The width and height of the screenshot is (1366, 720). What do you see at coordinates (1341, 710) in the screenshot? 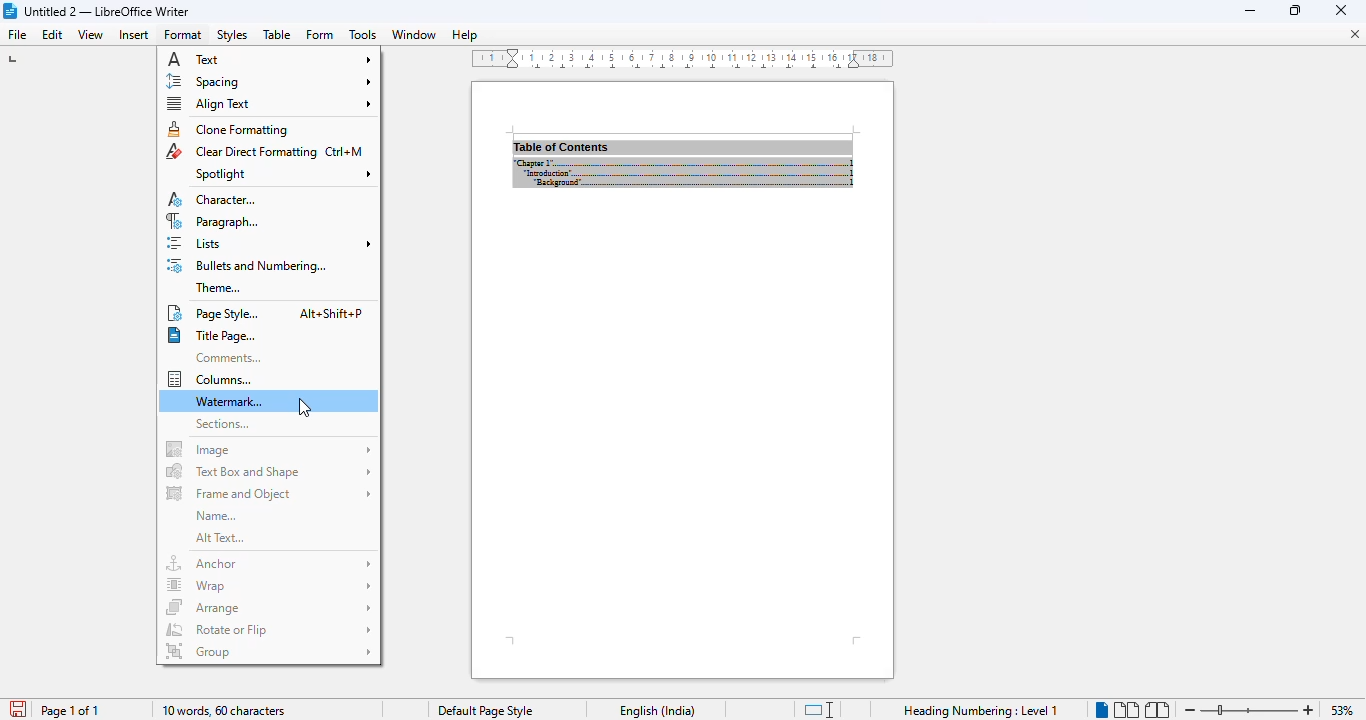
I see `zoom factor` at bounding box center [1341, 710].